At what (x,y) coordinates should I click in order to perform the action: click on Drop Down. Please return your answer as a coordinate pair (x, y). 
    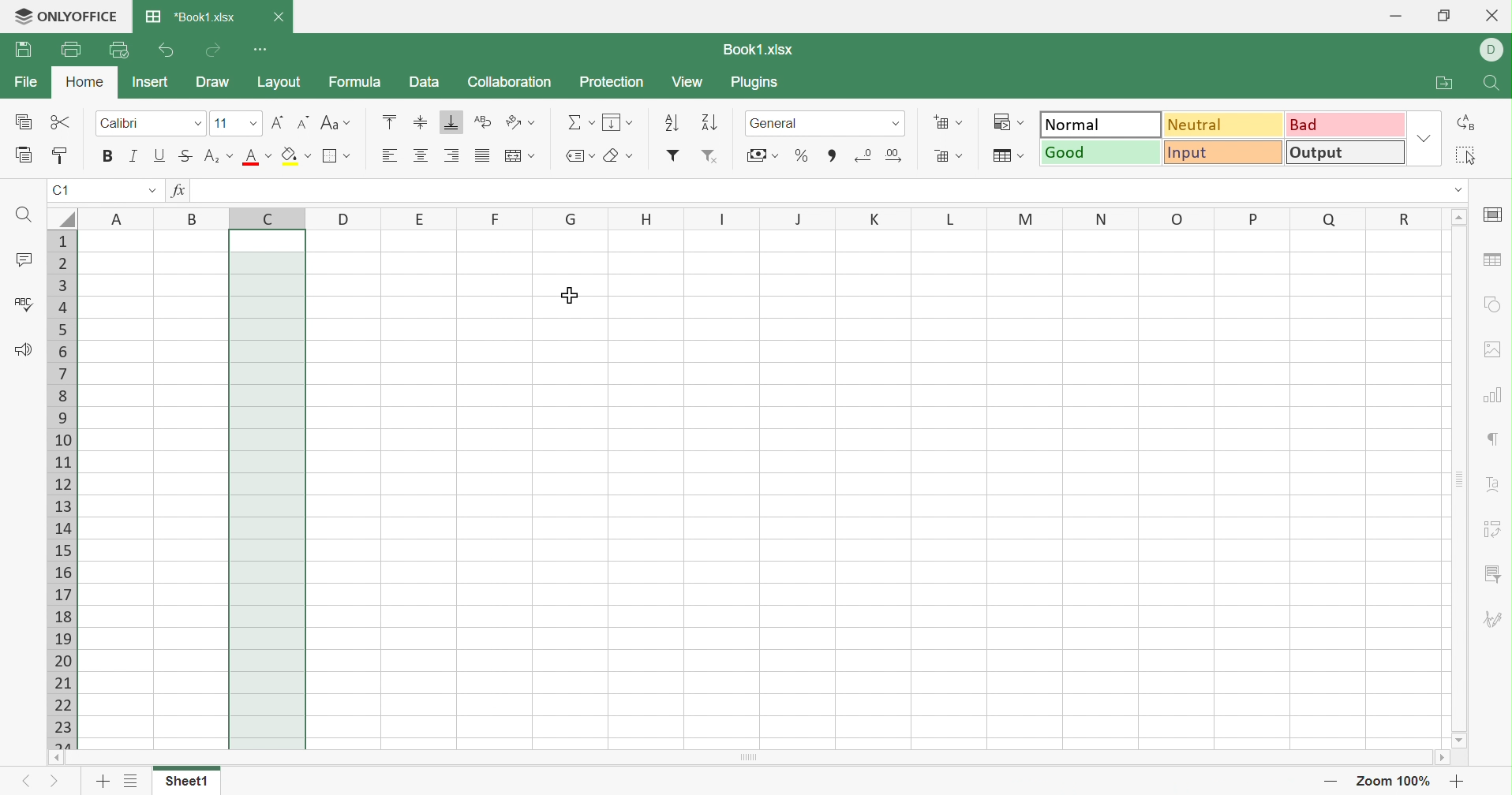
    Looking at the image, I should click on (1025, 155).